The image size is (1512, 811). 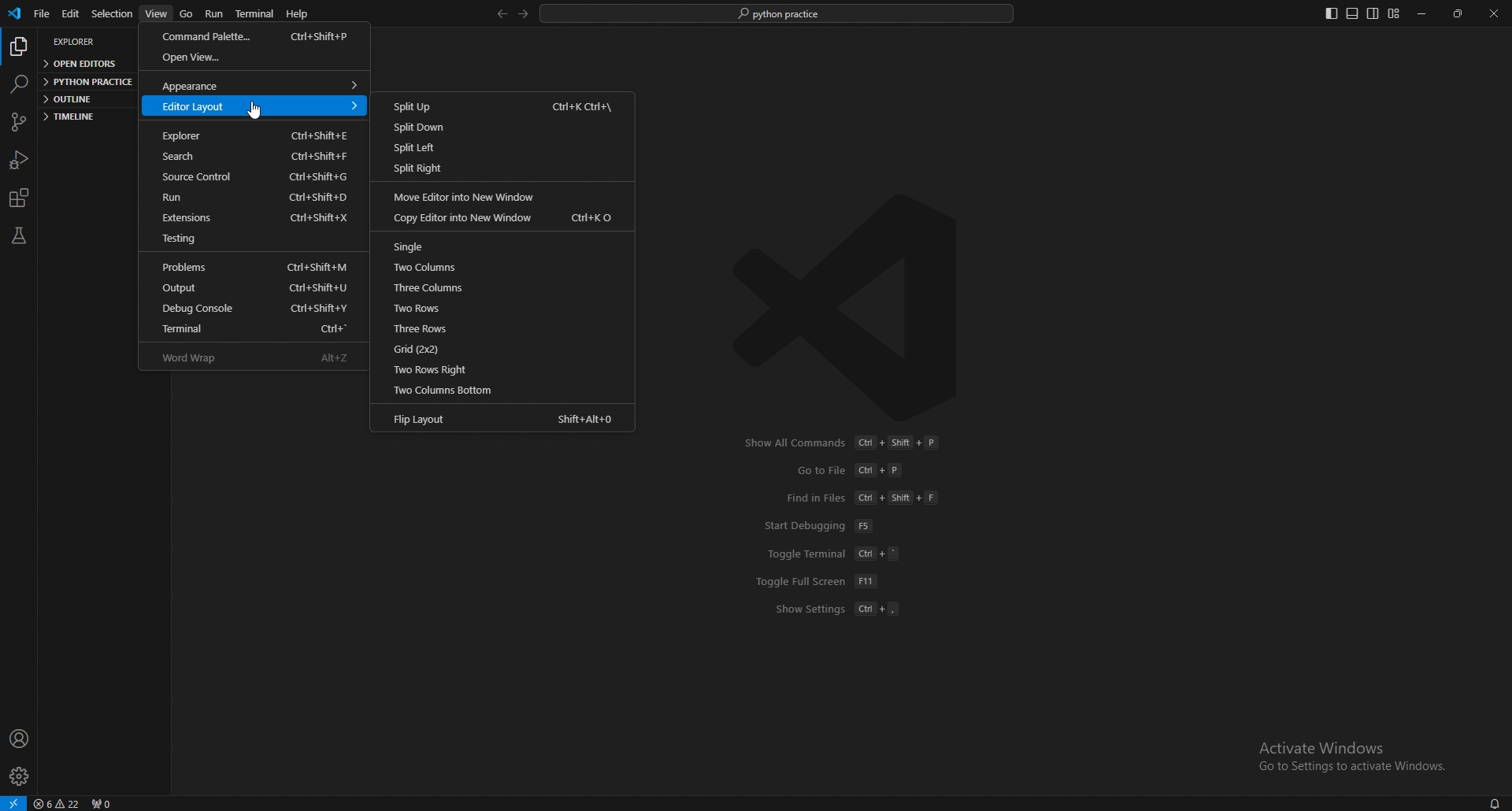 I want to click on customize layout, so click(x=1394, y=13).